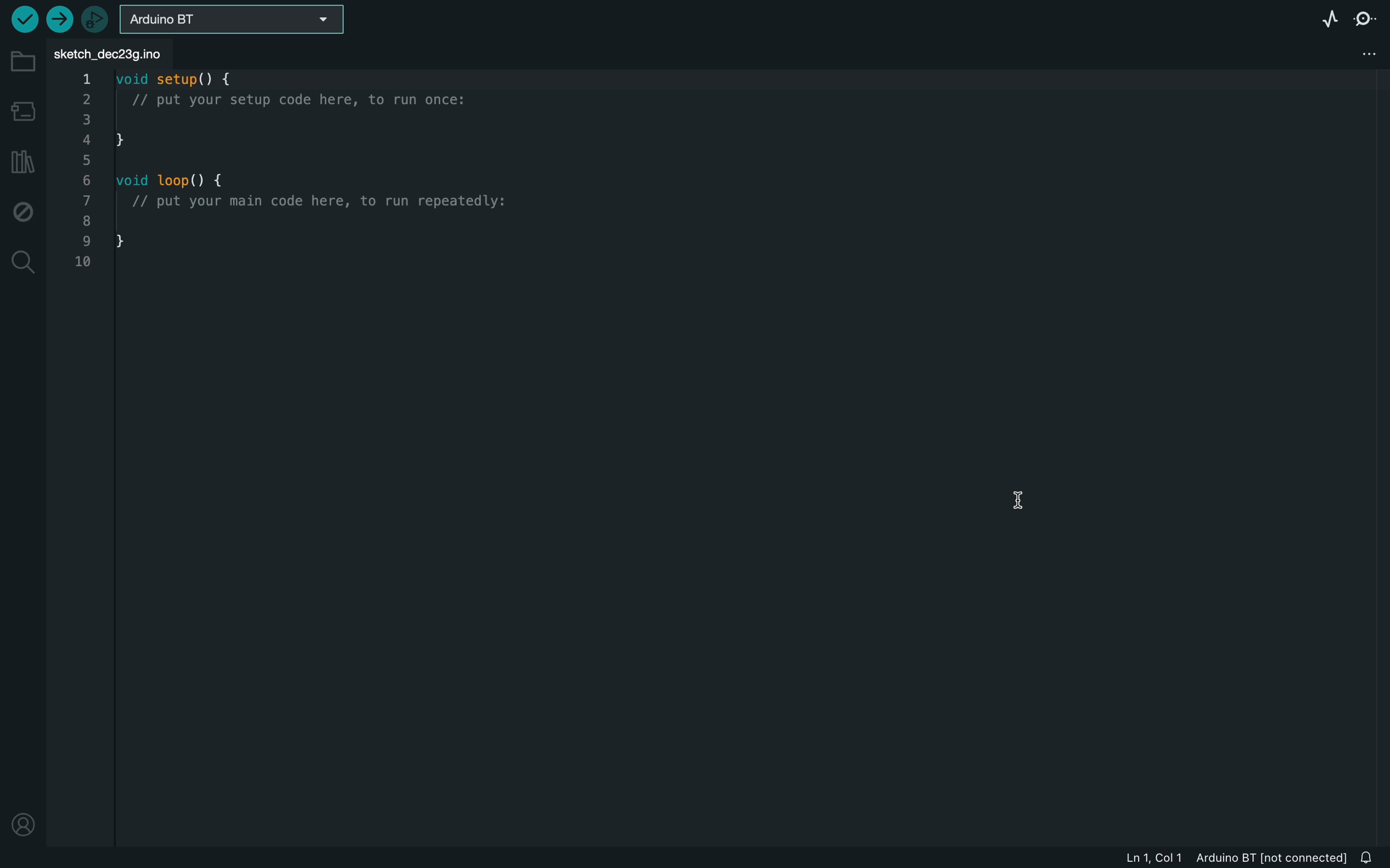 This screenshot has height=868, width=1390. What do you see at coordinates (59, 18) in the screenshot?
I see `upload` at bounding box center [59, 18].